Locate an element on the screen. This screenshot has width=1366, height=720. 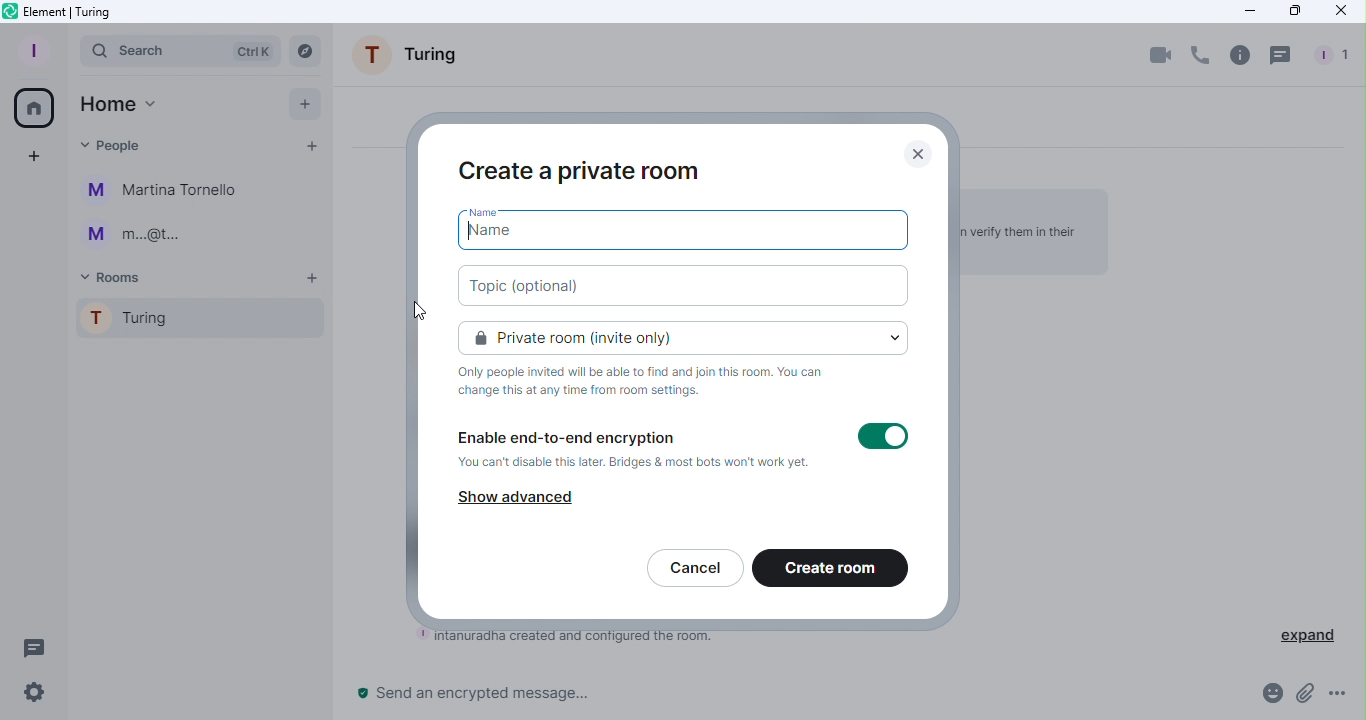
Cancel is located at coordinates (694, 570).